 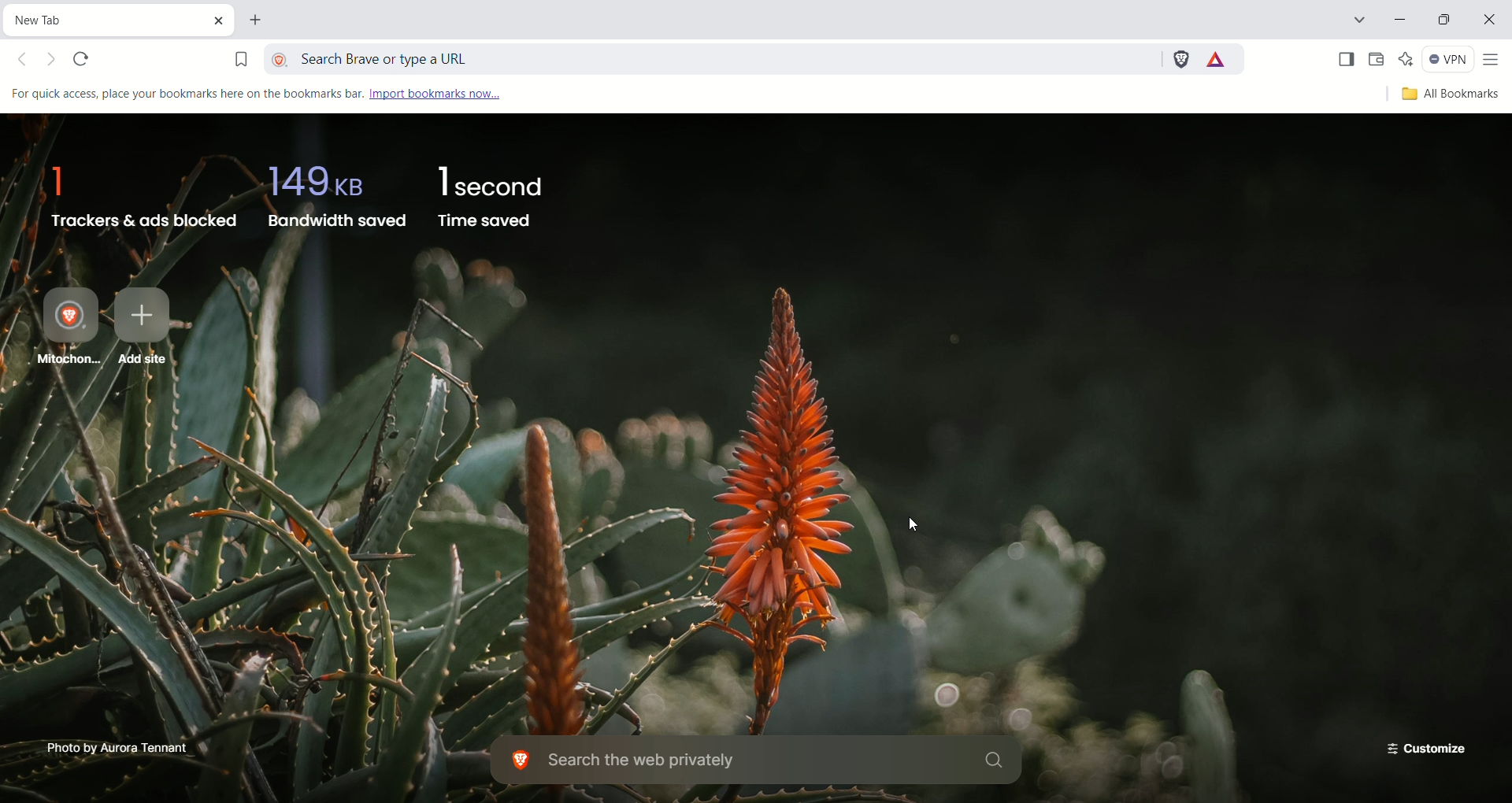 What do you see at coordinates (28, 61) in the screenshot?
I see `Click to go back,  hold to see history` at bounding box center [28, 61].